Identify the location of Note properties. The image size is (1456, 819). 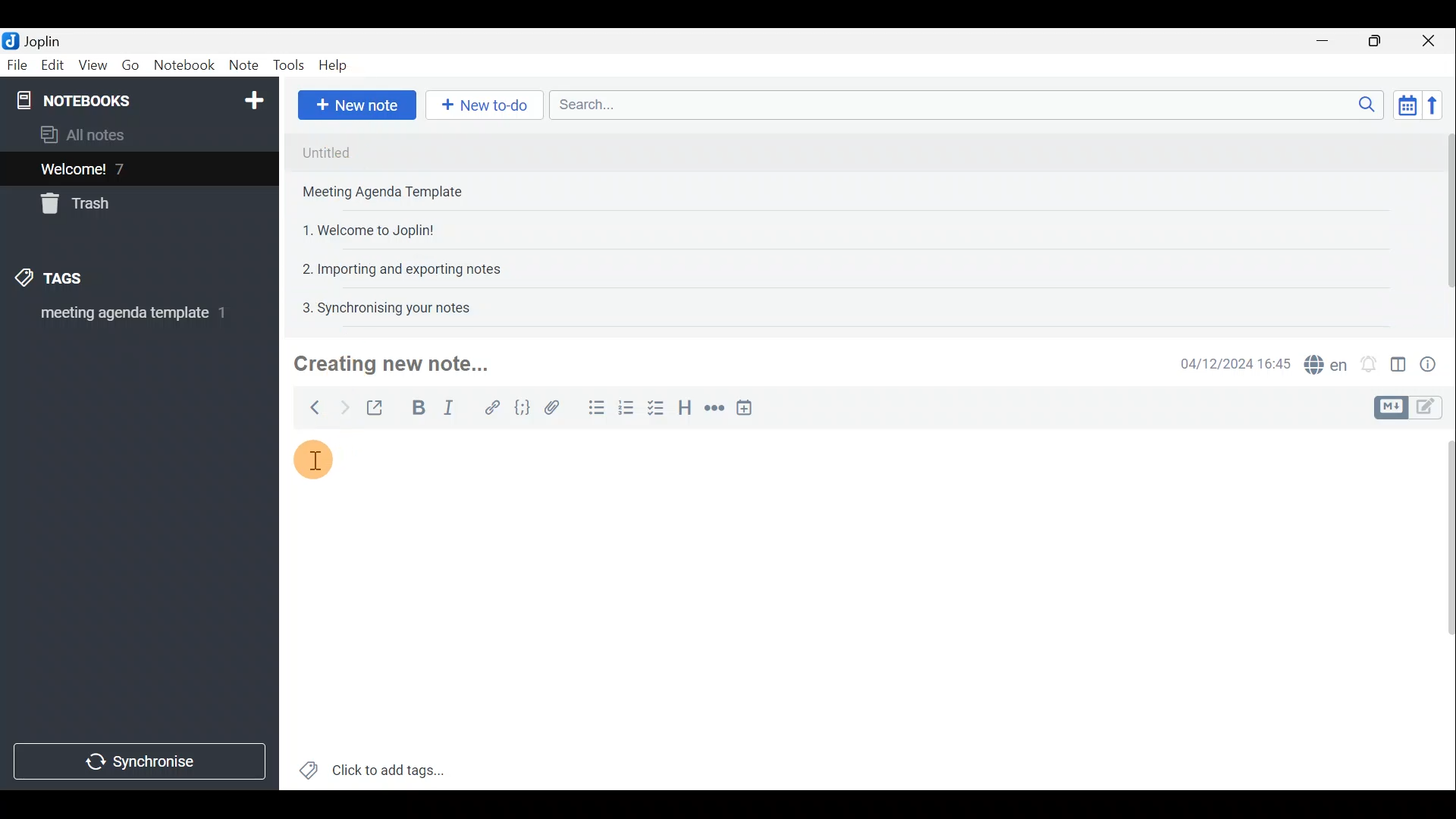
(1433, 362).